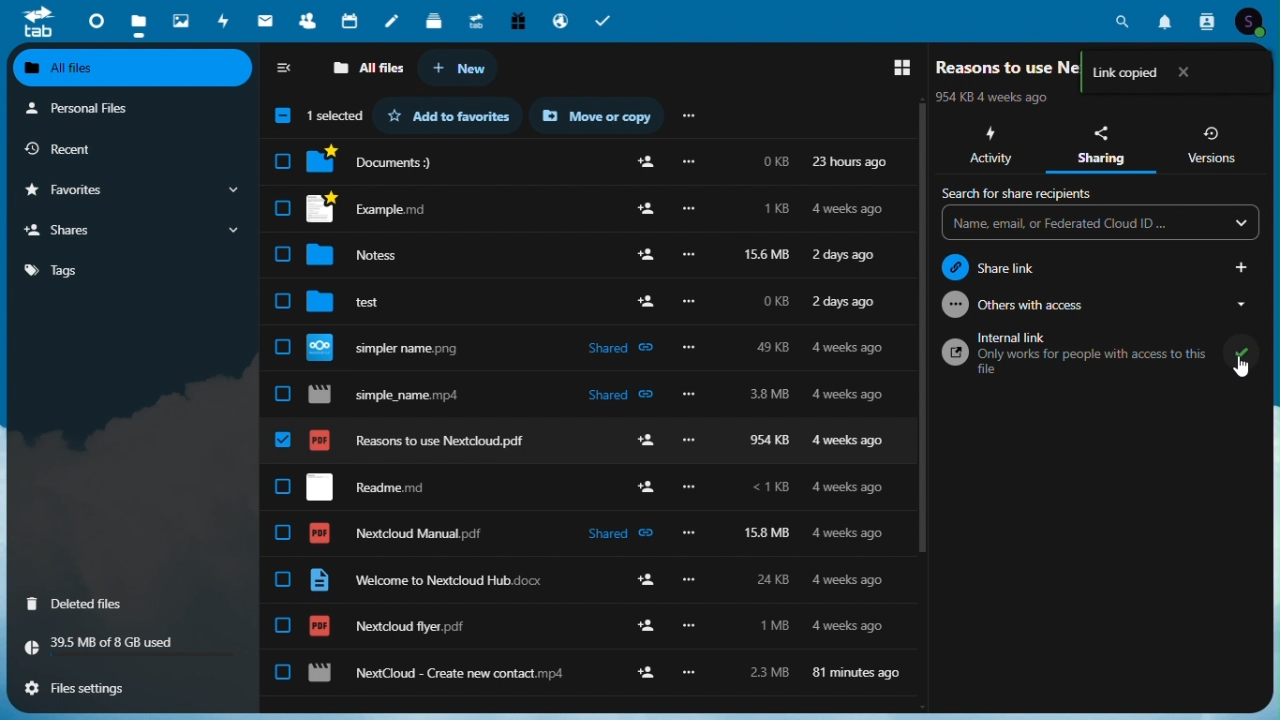  I want to click on 4 weeks ago, so click(847, 210).